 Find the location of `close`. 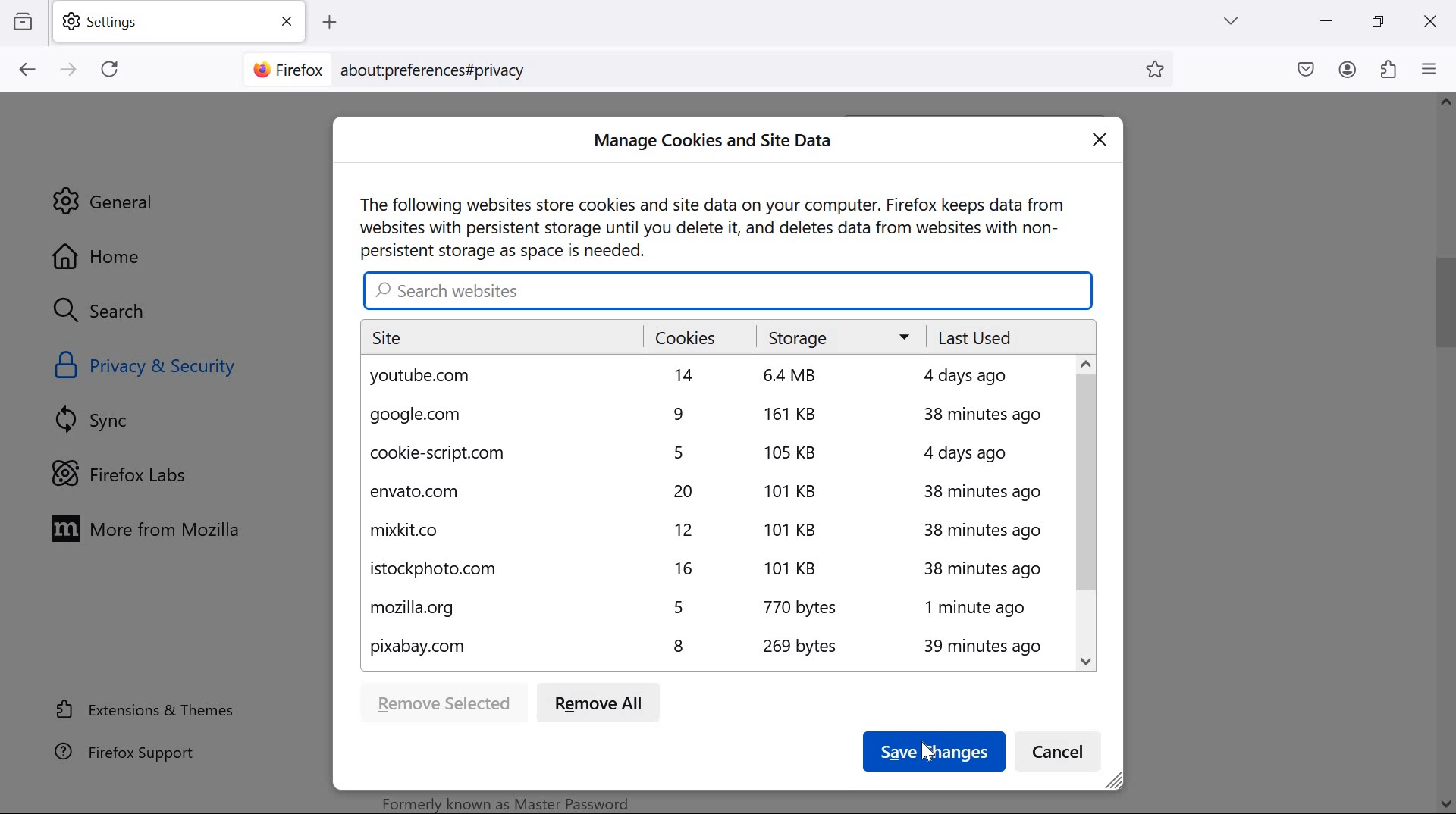

close is located at coordinates (1429, 23).